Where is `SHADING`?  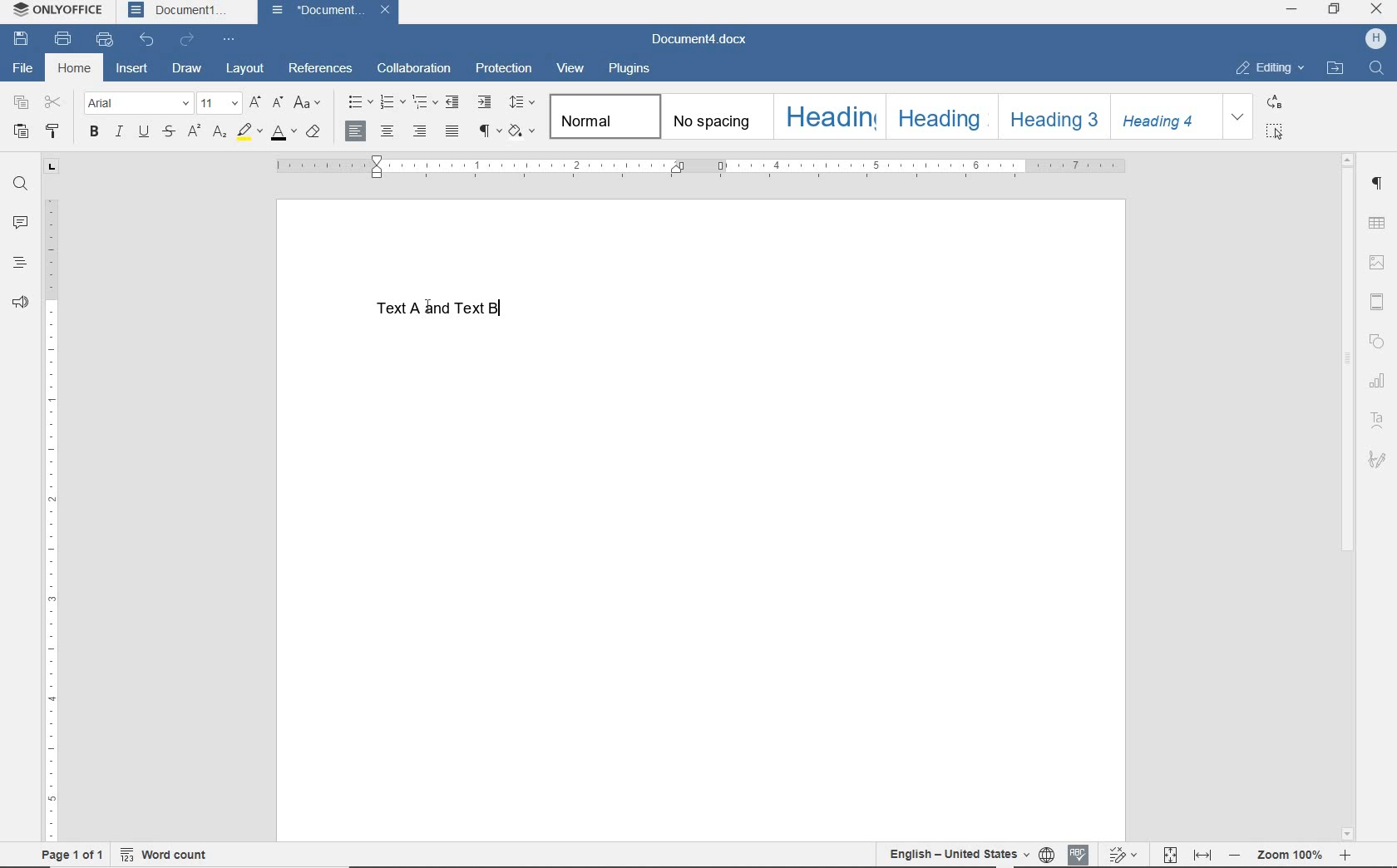
SHADING is located at coordinates (523, 133).